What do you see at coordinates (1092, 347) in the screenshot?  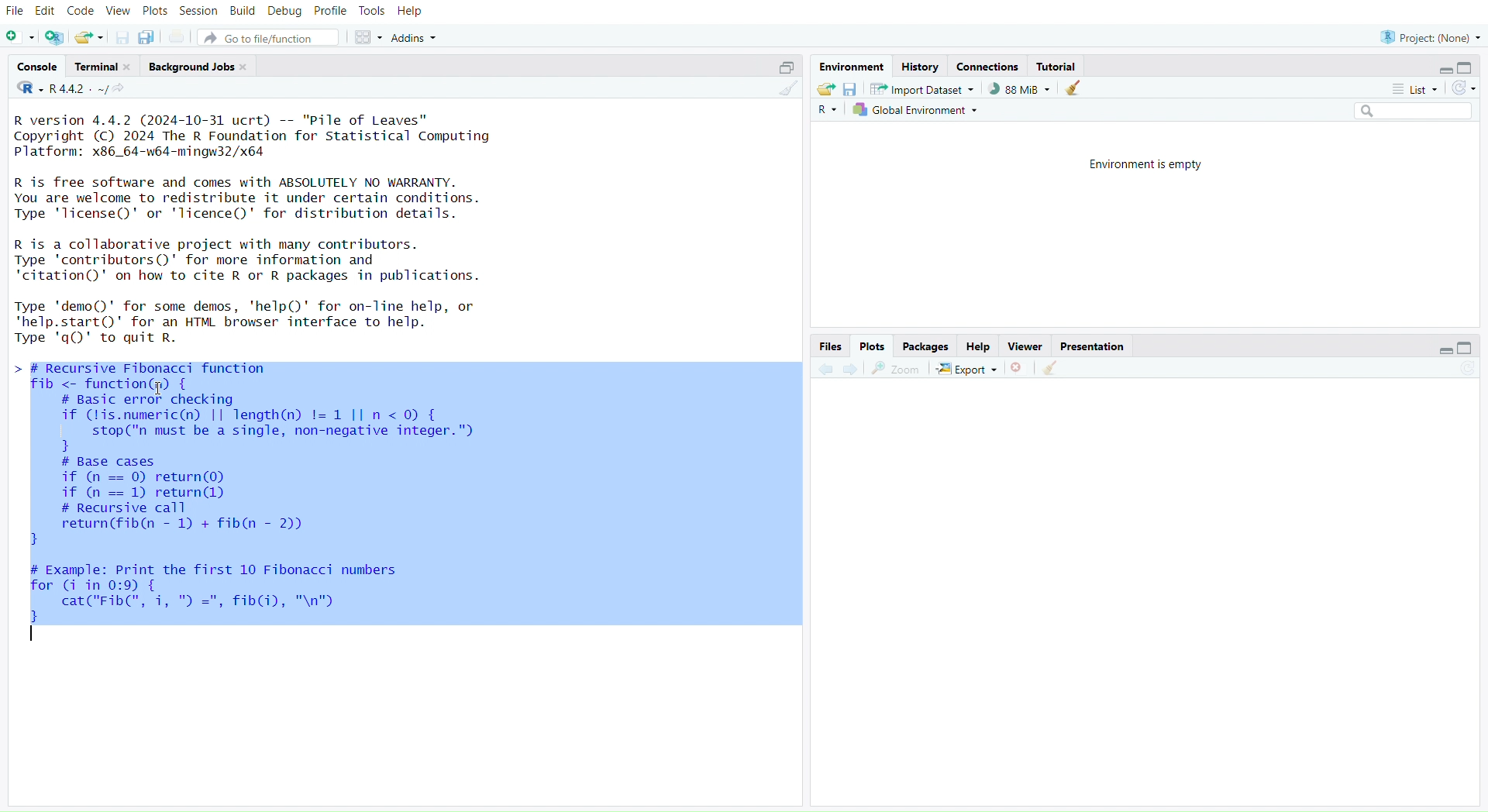 I see `presentation` at bounding box center [1092, 347].